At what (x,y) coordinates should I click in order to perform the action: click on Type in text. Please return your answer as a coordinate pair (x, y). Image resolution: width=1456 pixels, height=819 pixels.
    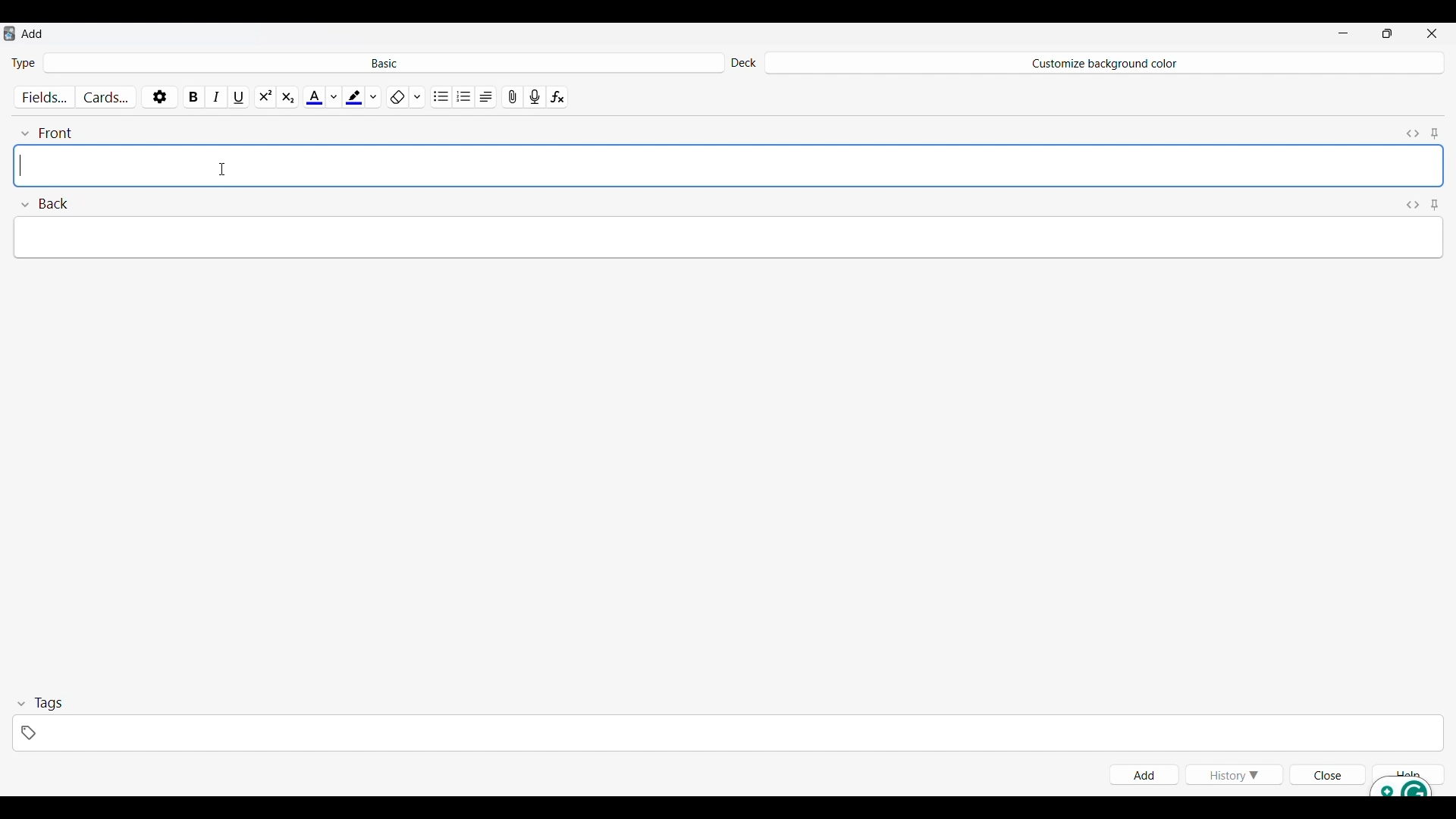
    Looking at the image, I should click on (726, 234).